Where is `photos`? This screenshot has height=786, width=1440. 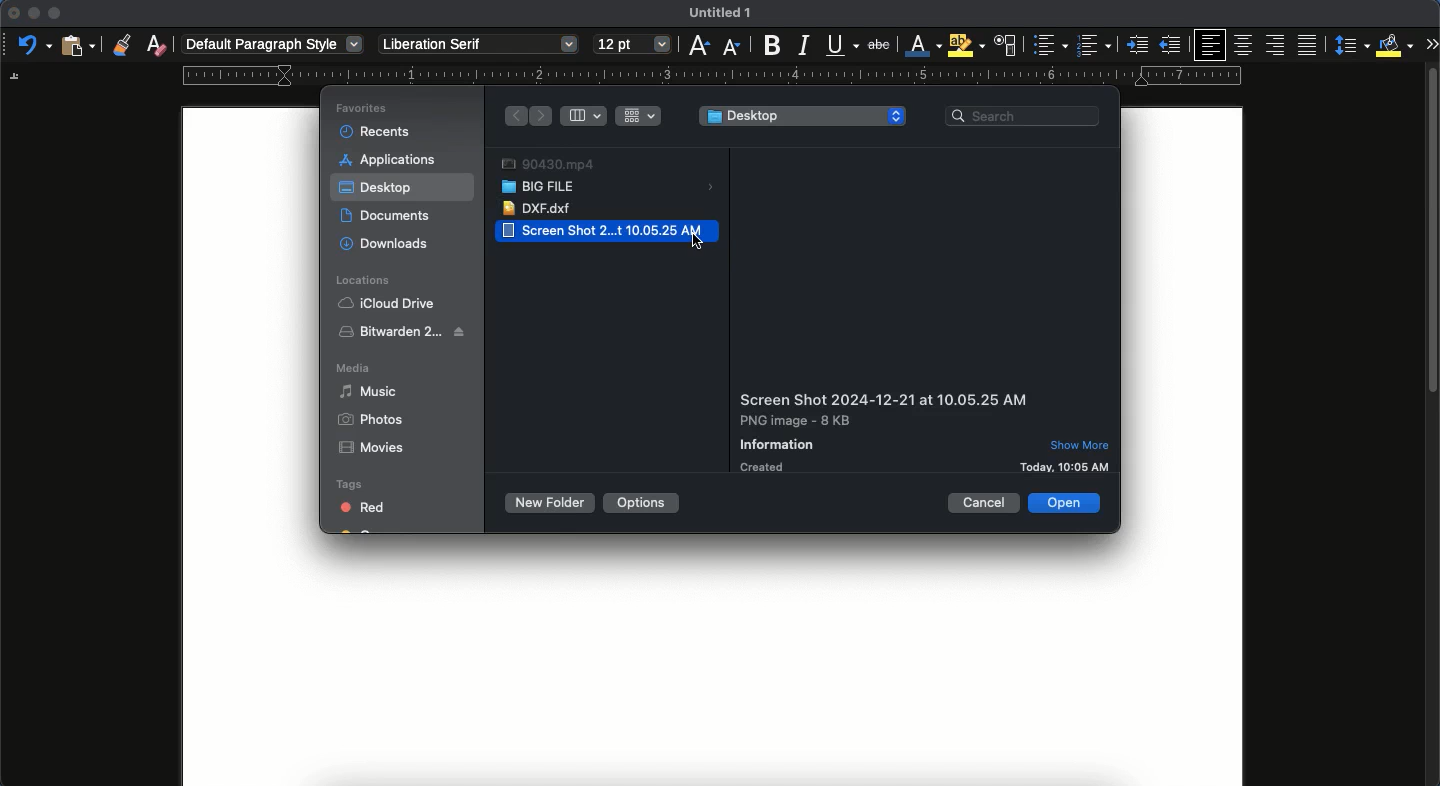
photos is located at coordinates (370, 420).